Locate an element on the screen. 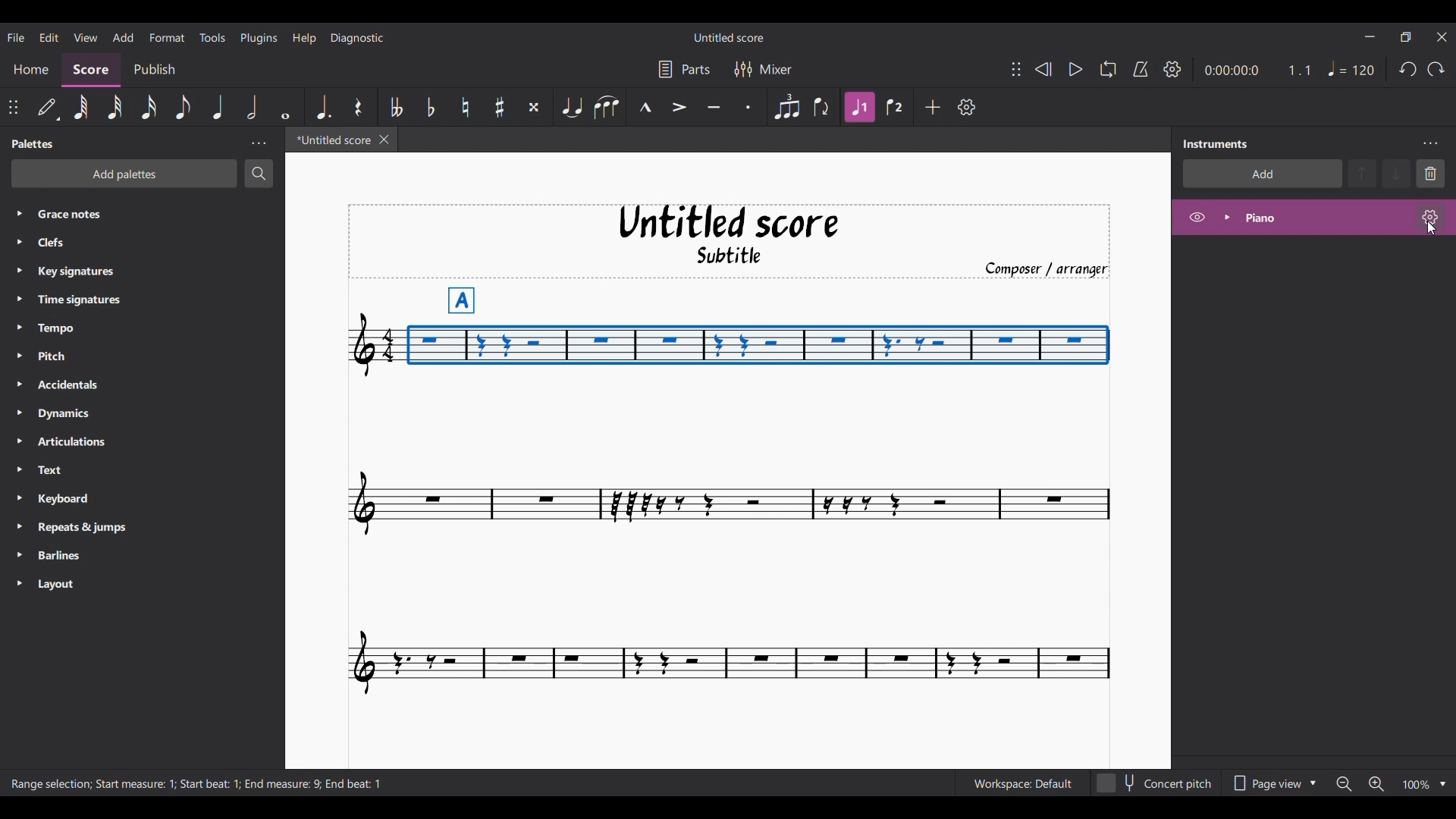 Image resolution: width=1456 pixels, height=819 pixels. Metronome is located at coordinates (1141, 69).